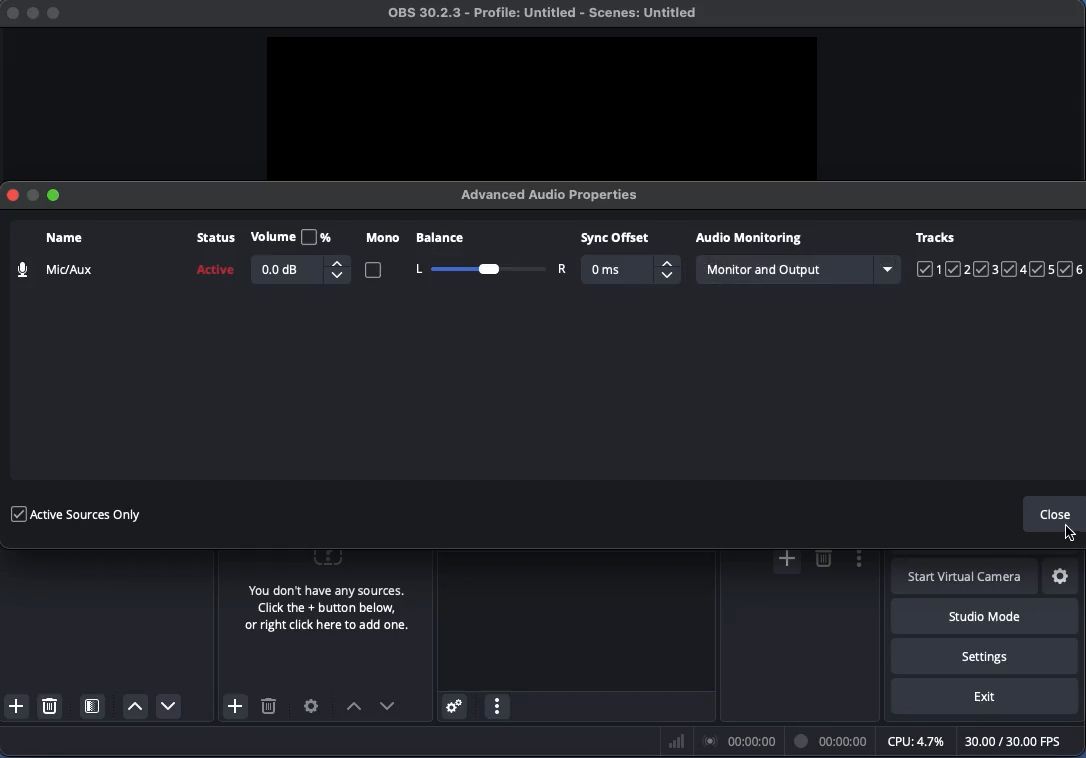 This screenshot has width=1086, height=758. Describe the element at coordinates (1062, 577) in the screenshot. I see `Settings` at that location.